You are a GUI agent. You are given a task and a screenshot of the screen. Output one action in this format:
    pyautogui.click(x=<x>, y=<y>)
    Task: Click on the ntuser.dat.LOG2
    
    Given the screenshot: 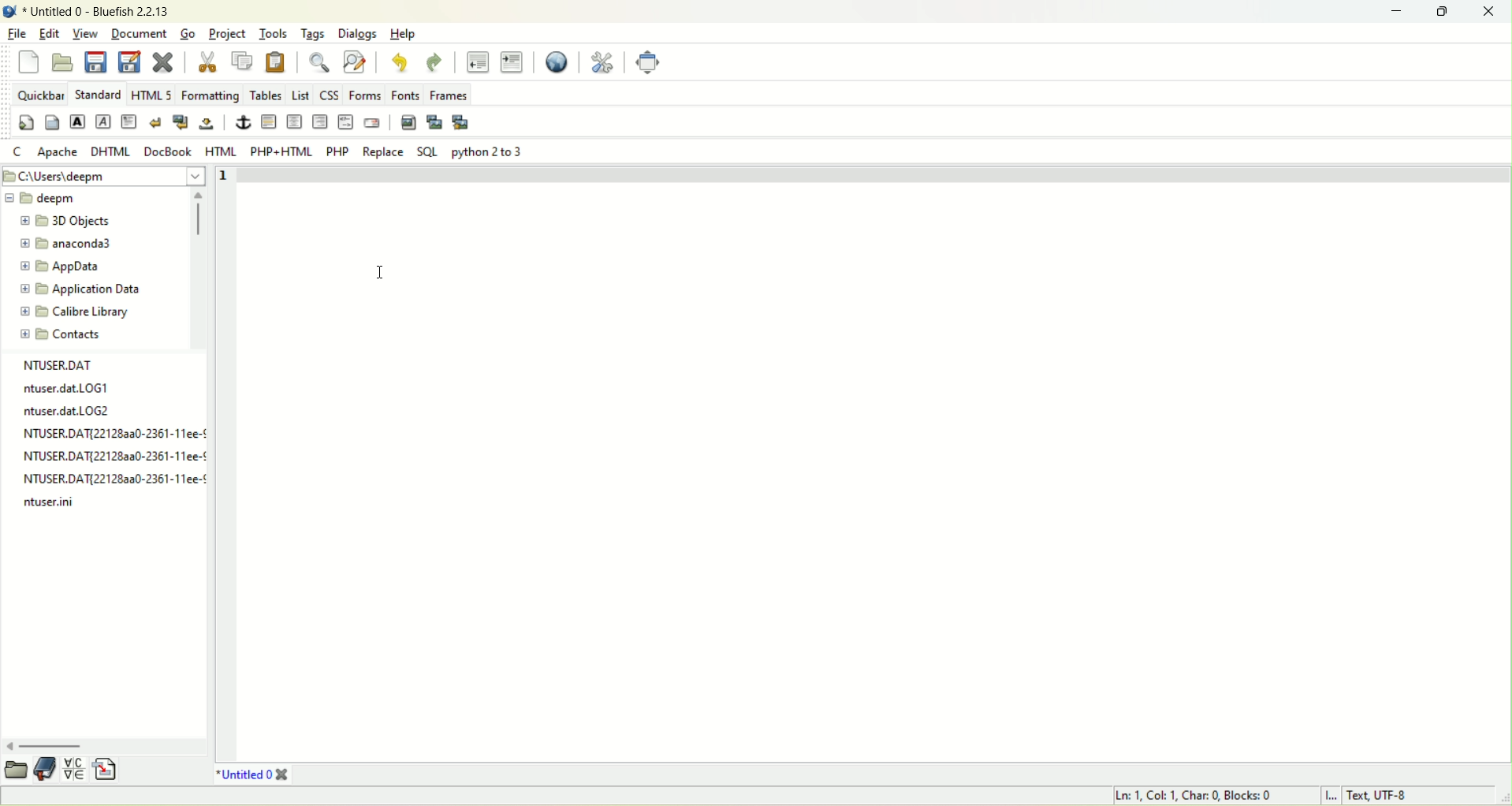 What is the action you would take?
    pyautogui.click(x=69, y=410)
    